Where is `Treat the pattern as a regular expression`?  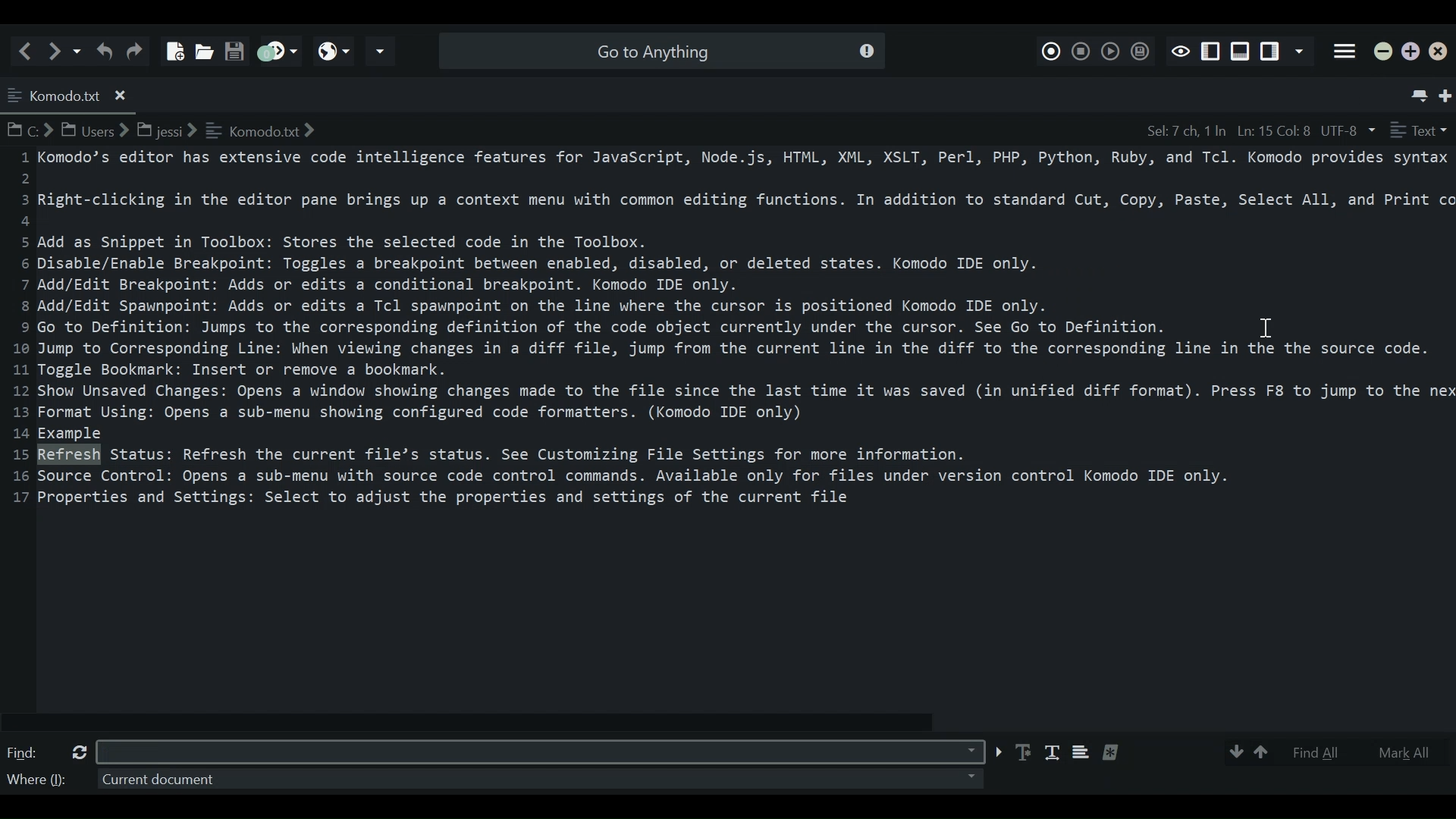 Treat the pattern as a regular expression is located at coordinates (1116, 752).